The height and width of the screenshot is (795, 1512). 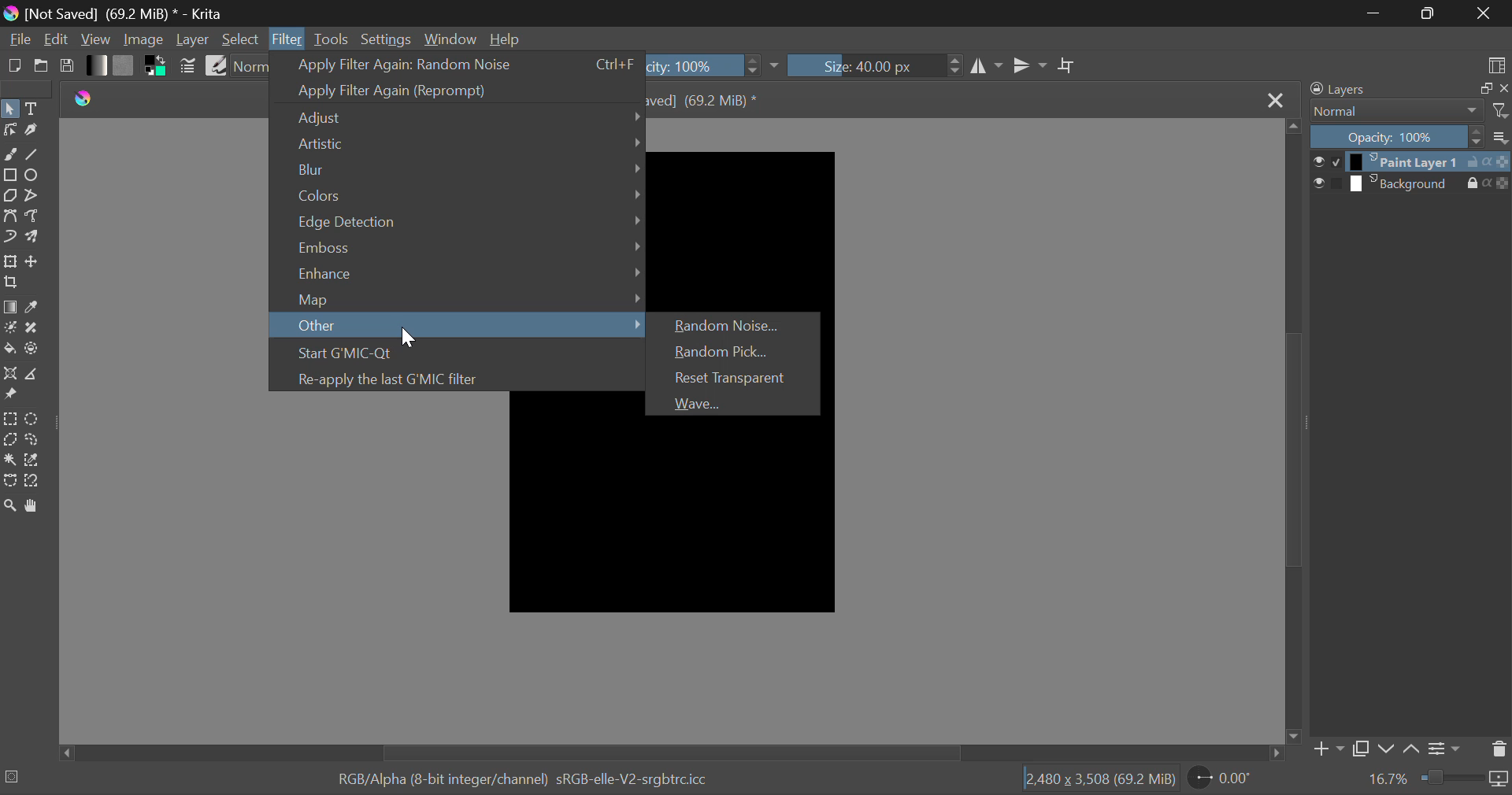 What do you see at coordinates (1410, 747) in the screenshot?
I see `Move Layer Up` at bounding box center [1410, 747].